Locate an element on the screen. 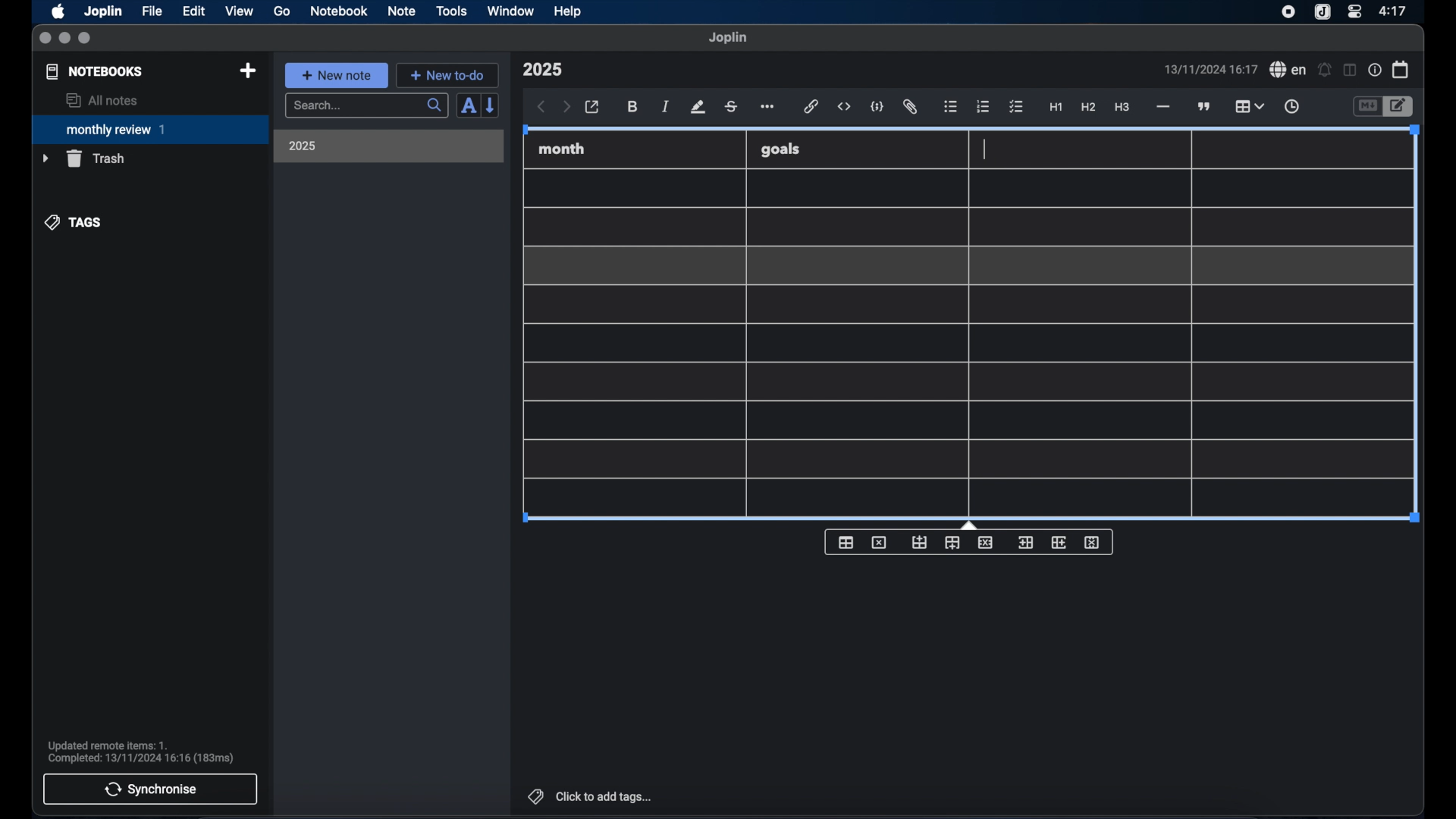 Image resolution: width=1456 pixels, height=819 pixels. more options is located at coordinates (769, 108).